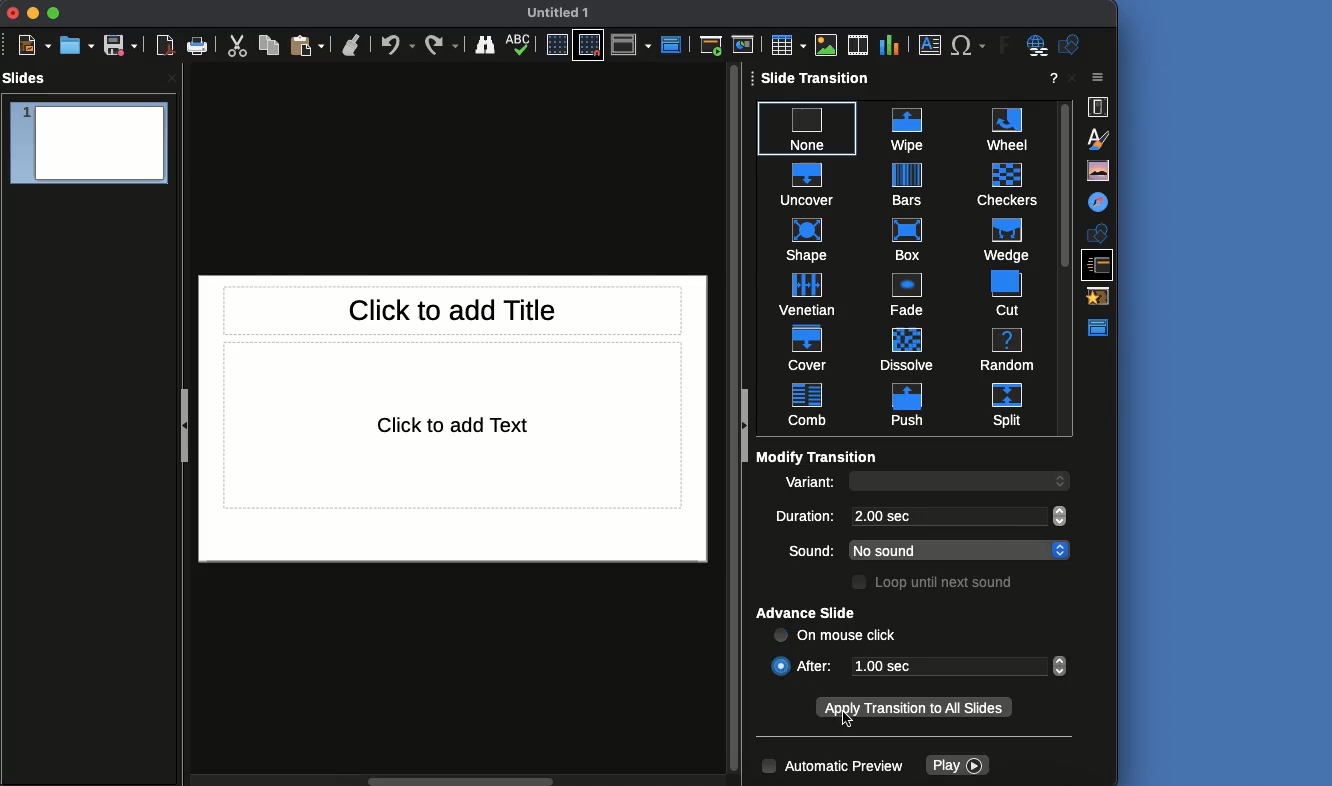 This screenshot has width=1332, height=786. Describe the element at coordinates (1099, 172) in the screenshot. I see `Gallery` at that location.